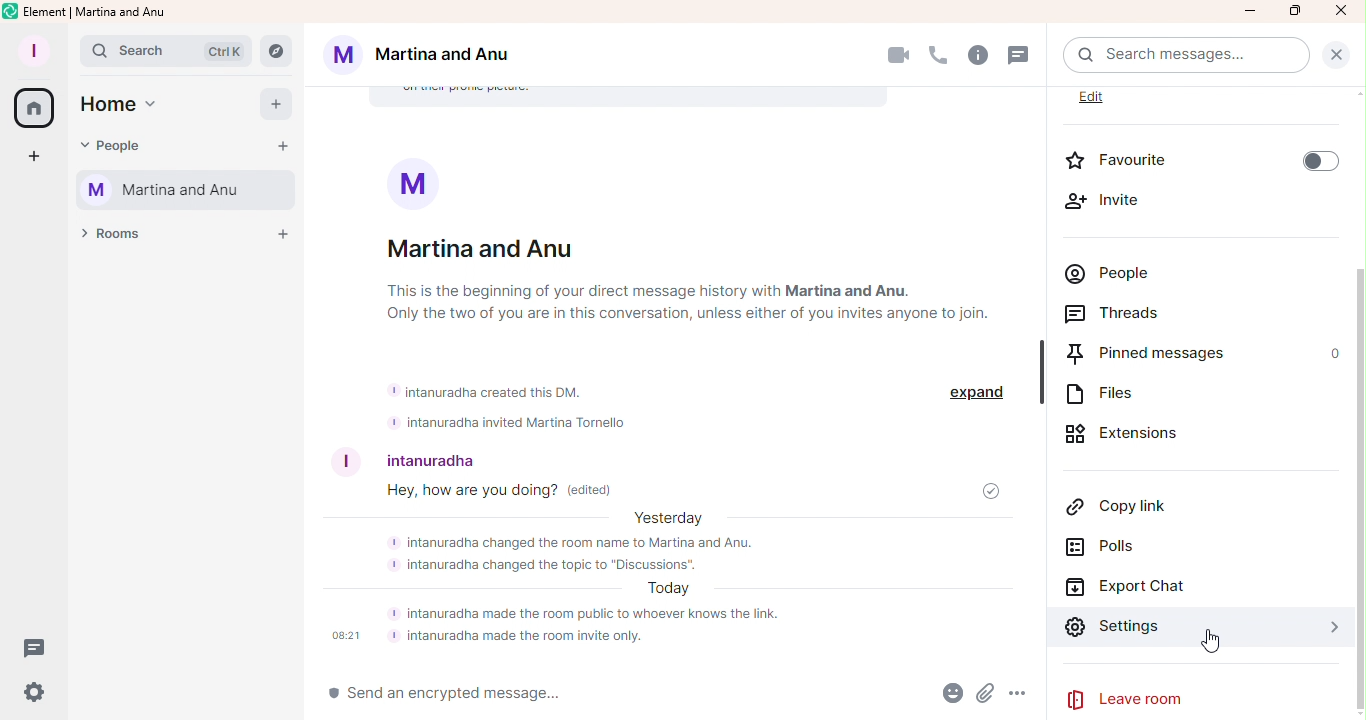  What do you see at coordinates (1124, 201) in the screenshot?
I see `Invite` at bounding box center [1124, 201].